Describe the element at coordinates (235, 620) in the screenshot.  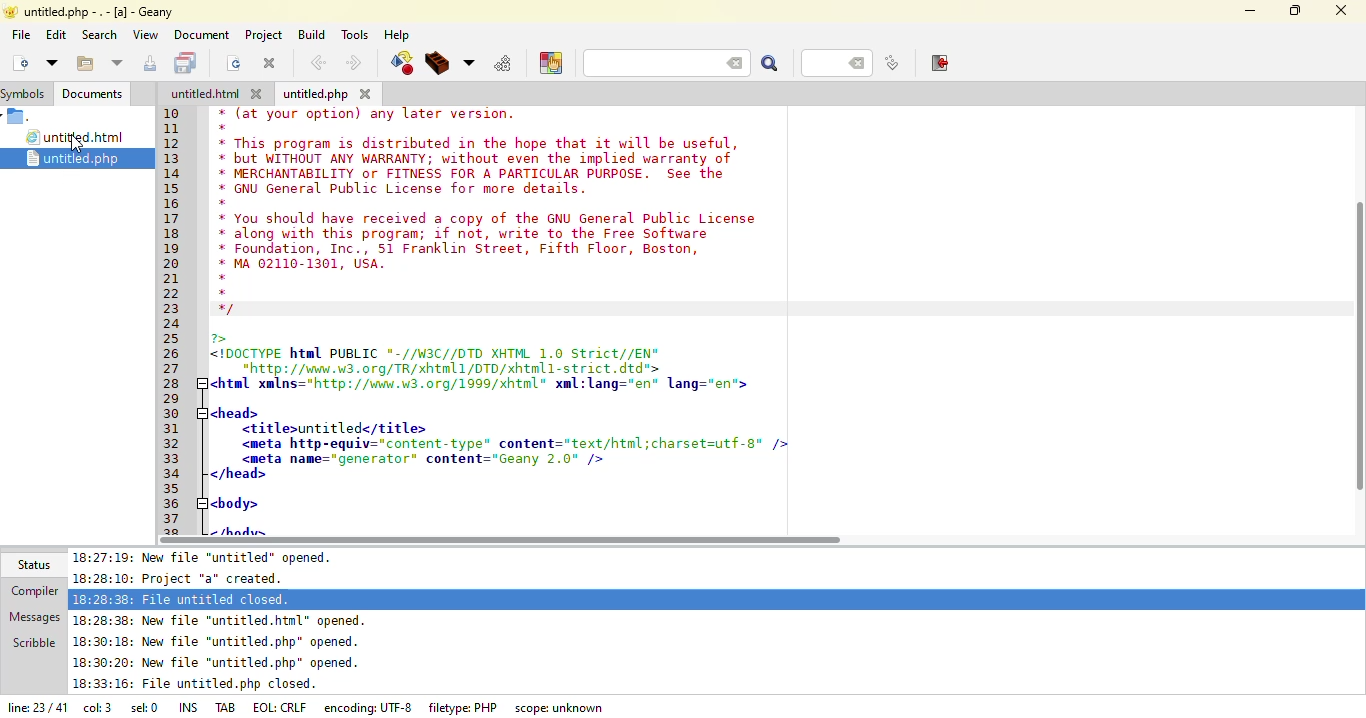
I see `18:27:19: New file "untitled" opened.
18:28:10: Project "a" created.

10:28:38; File untitled closed.
18:28:38: New file "untitled html* opened.
18:30:18: New file "untitled php" opened.
18:30:20: New file "untitled php" opened.
18:33:16: File untitled.php closed.` at that location.